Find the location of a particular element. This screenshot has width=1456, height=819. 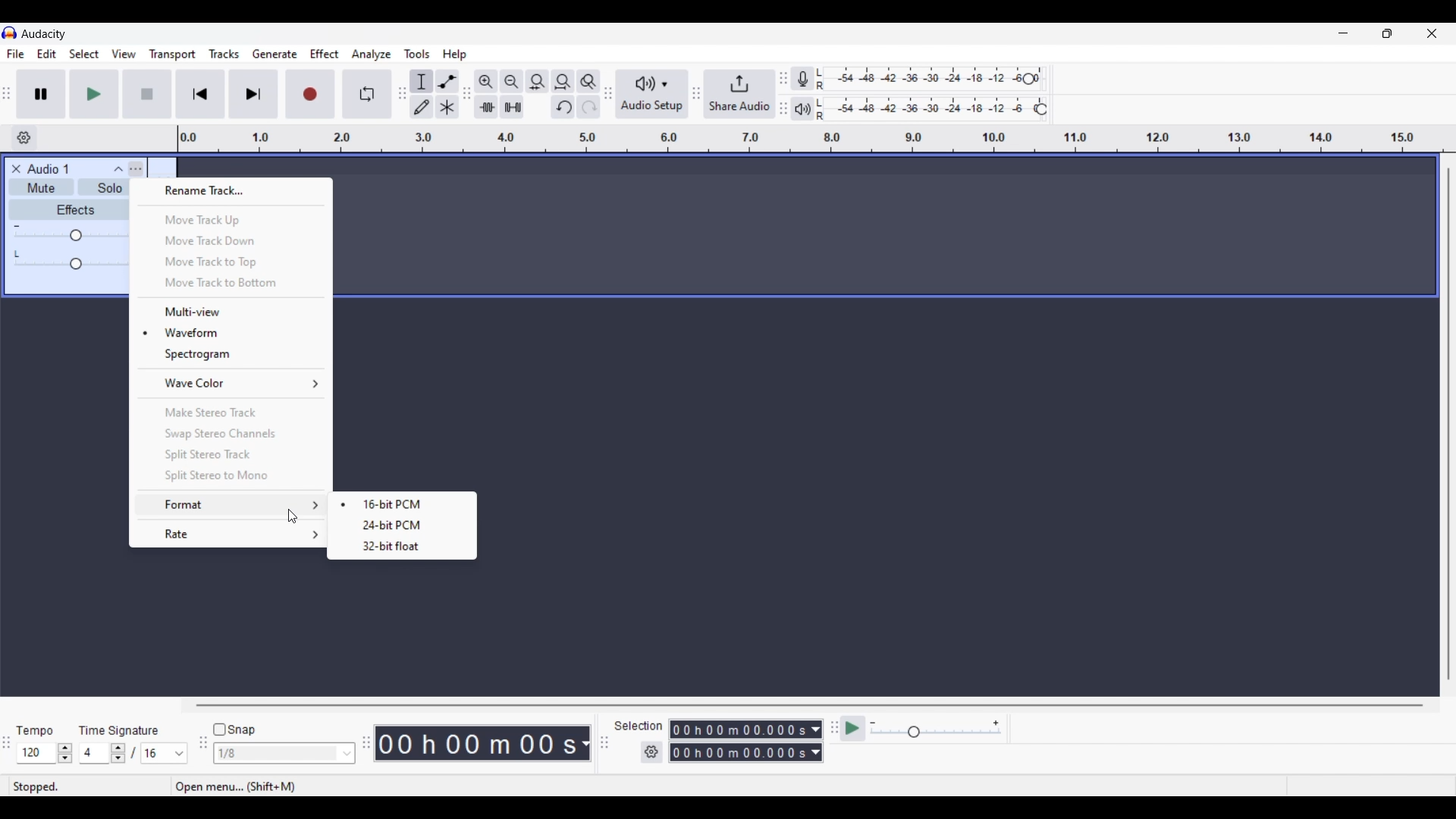

Record/Record new track is located at coordinates (311, 93).